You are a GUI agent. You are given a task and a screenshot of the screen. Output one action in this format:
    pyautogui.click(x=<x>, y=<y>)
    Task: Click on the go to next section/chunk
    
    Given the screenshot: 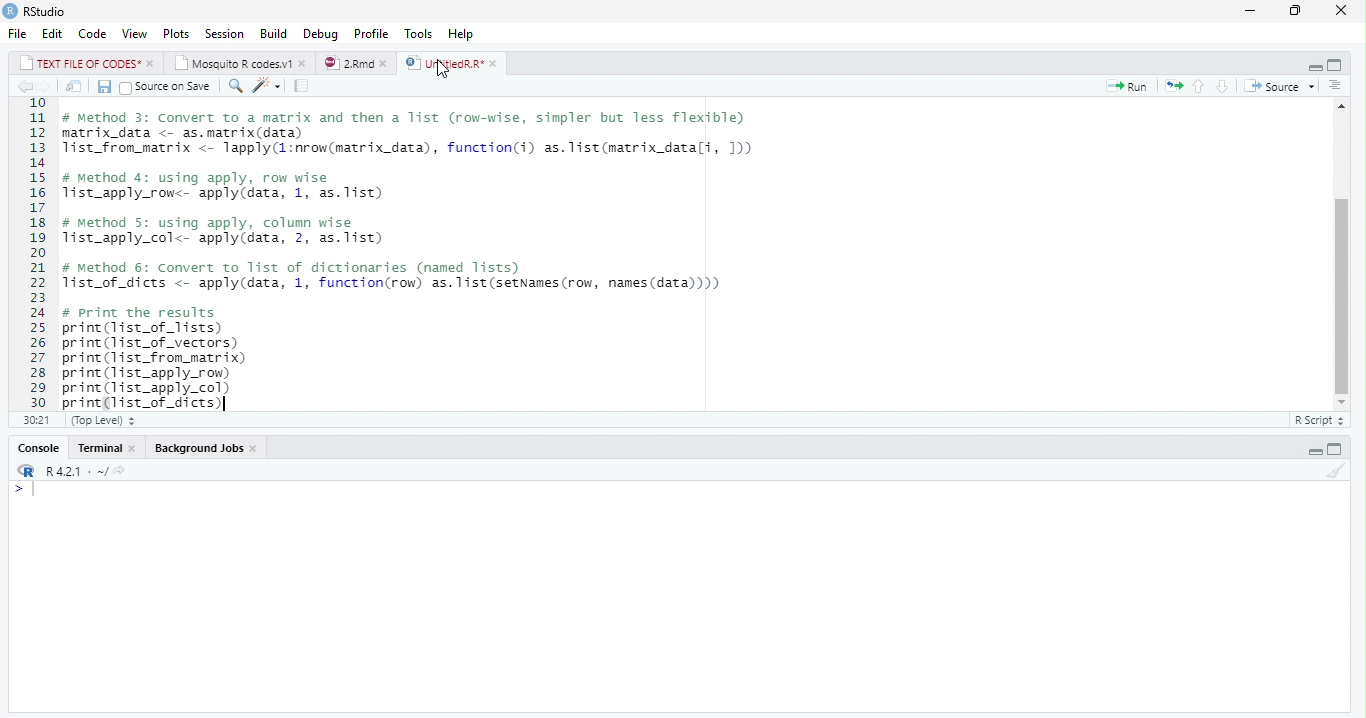 What is the action you would take?
    pyautogui.click(x=1222, y=86)
    